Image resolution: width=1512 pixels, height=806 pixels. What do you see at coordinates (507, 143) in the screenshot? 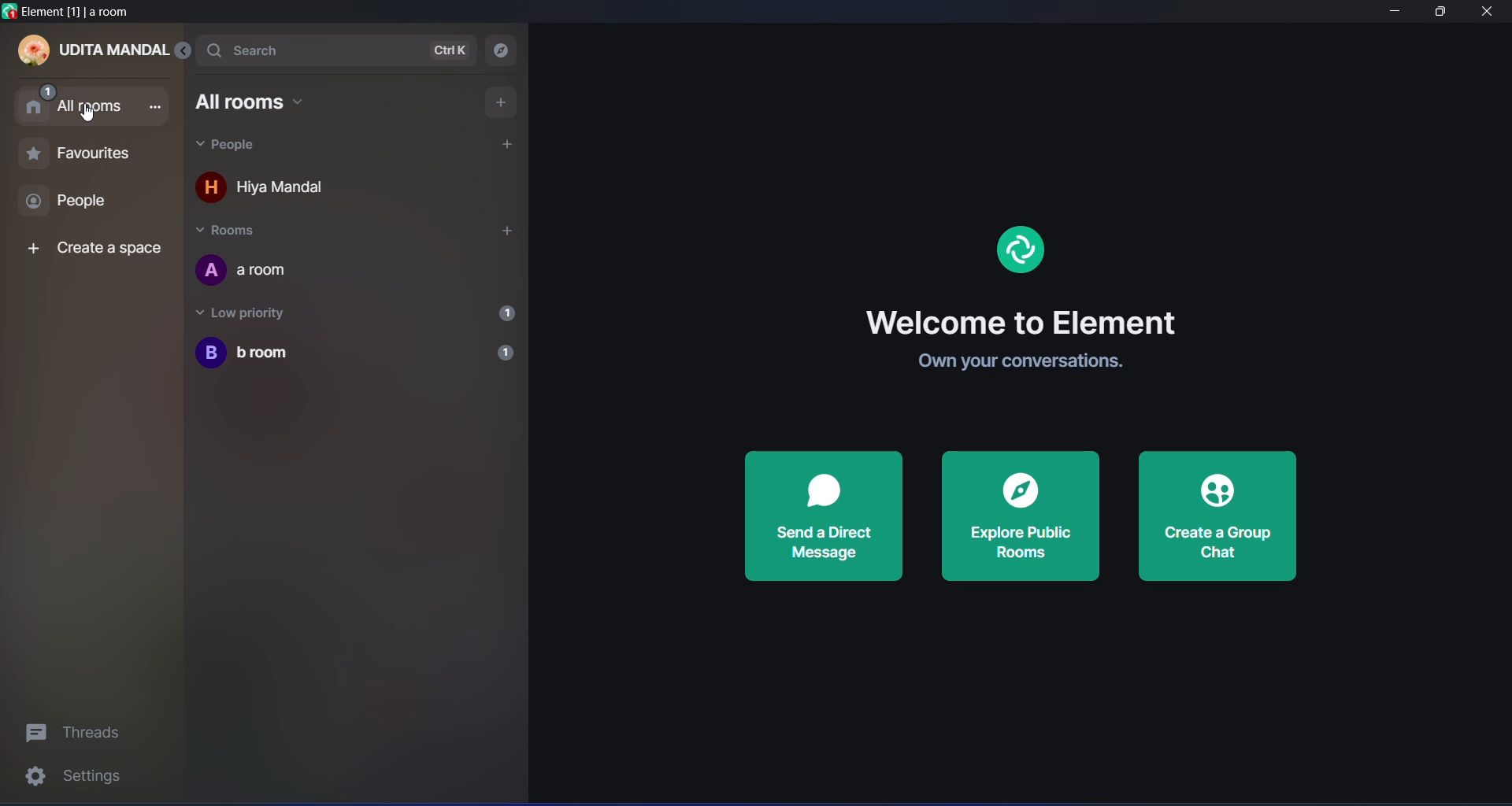
I see `add people` at bounding box center [507, 143].